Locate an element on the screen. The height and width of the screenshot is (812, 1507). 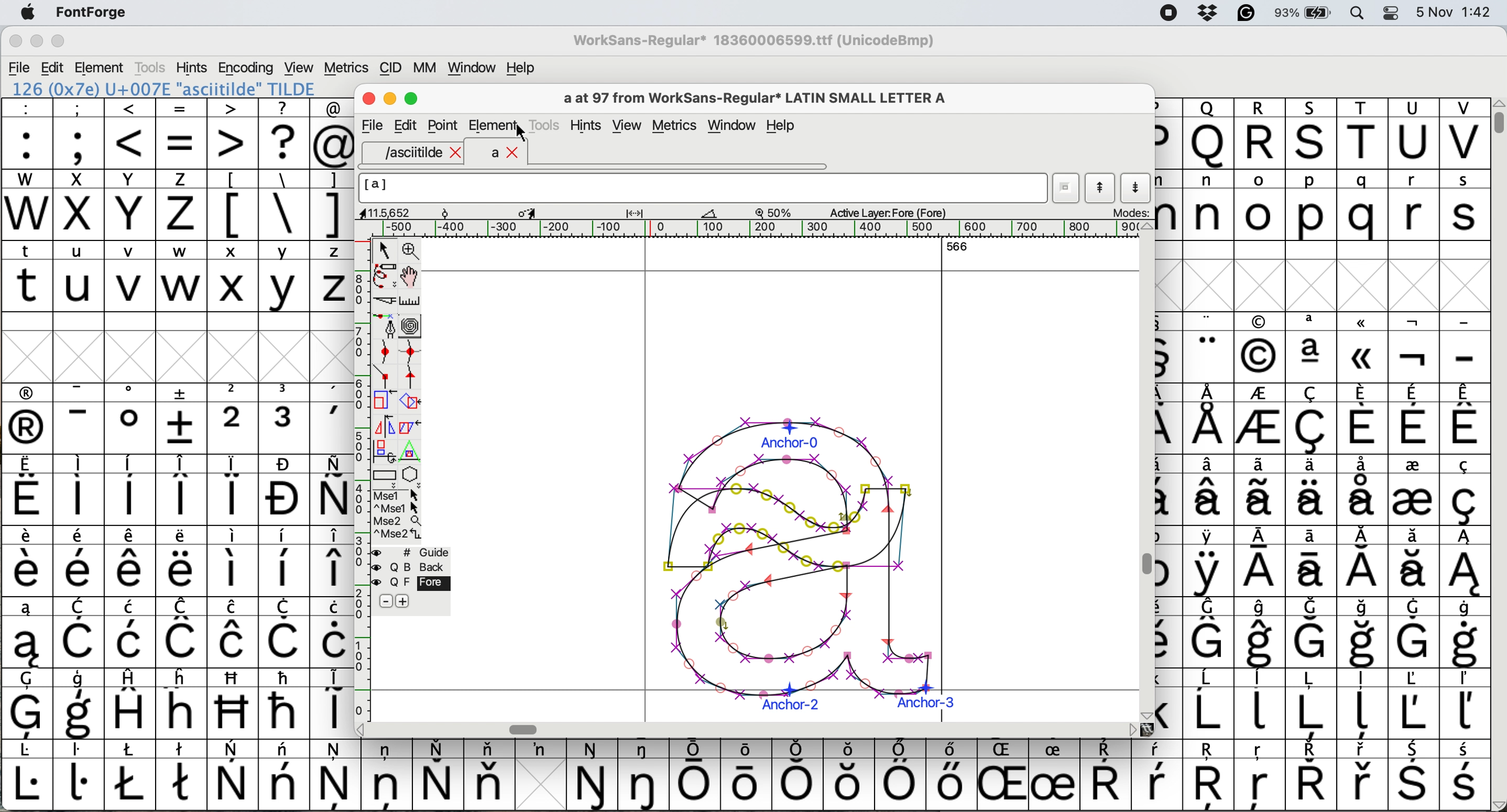
symbol is located at coordinates (1466, 776).